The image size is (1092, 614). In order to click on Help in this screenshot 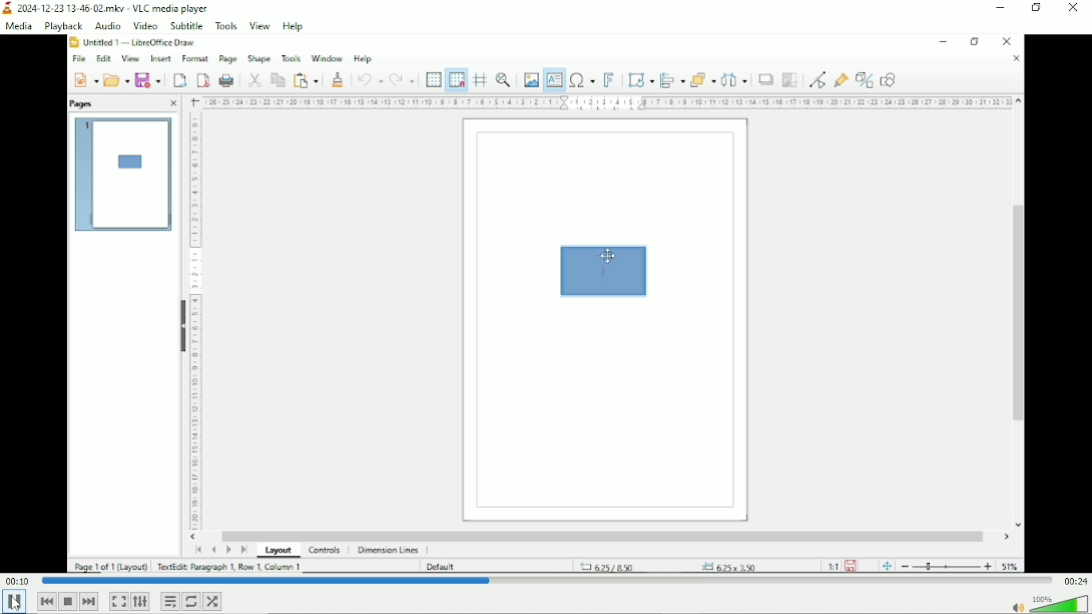, I will do `click(293, 27)`.